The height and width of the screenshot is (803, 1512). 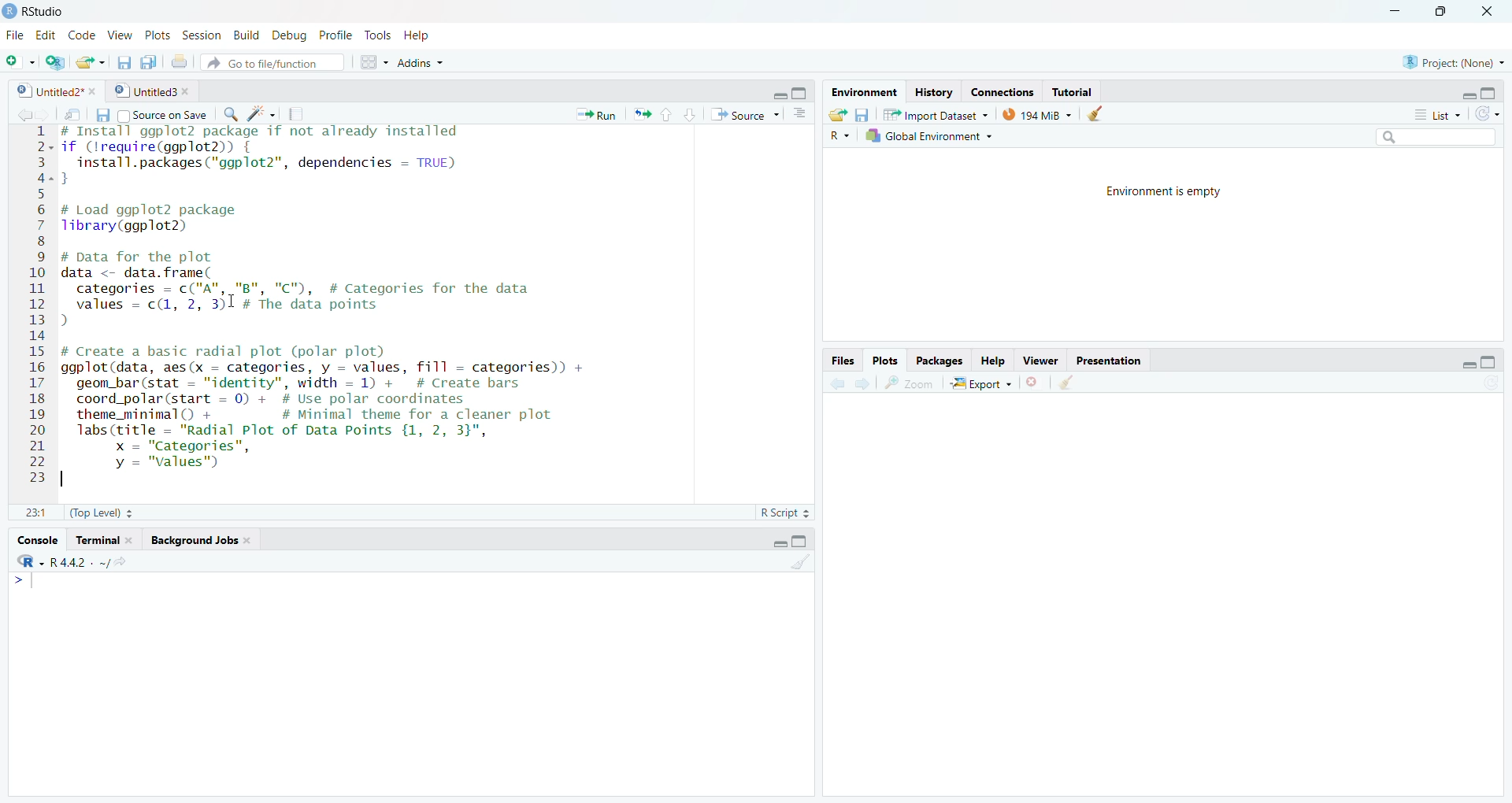 I want to click on R442. ~/, so click(x=79, y=563).